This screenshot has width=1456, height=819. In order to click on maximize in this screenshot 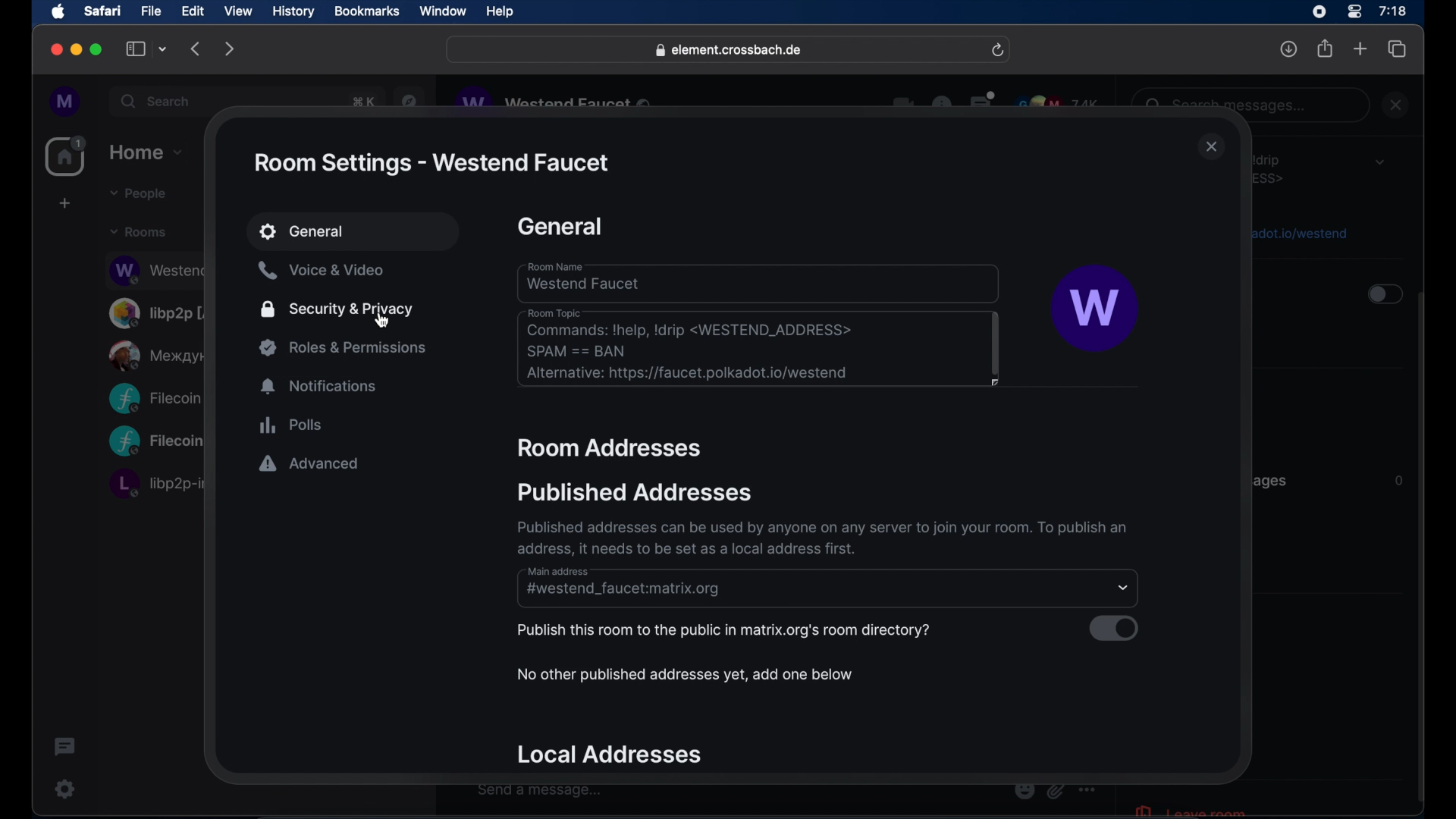, I will do `click(98, 49)`.